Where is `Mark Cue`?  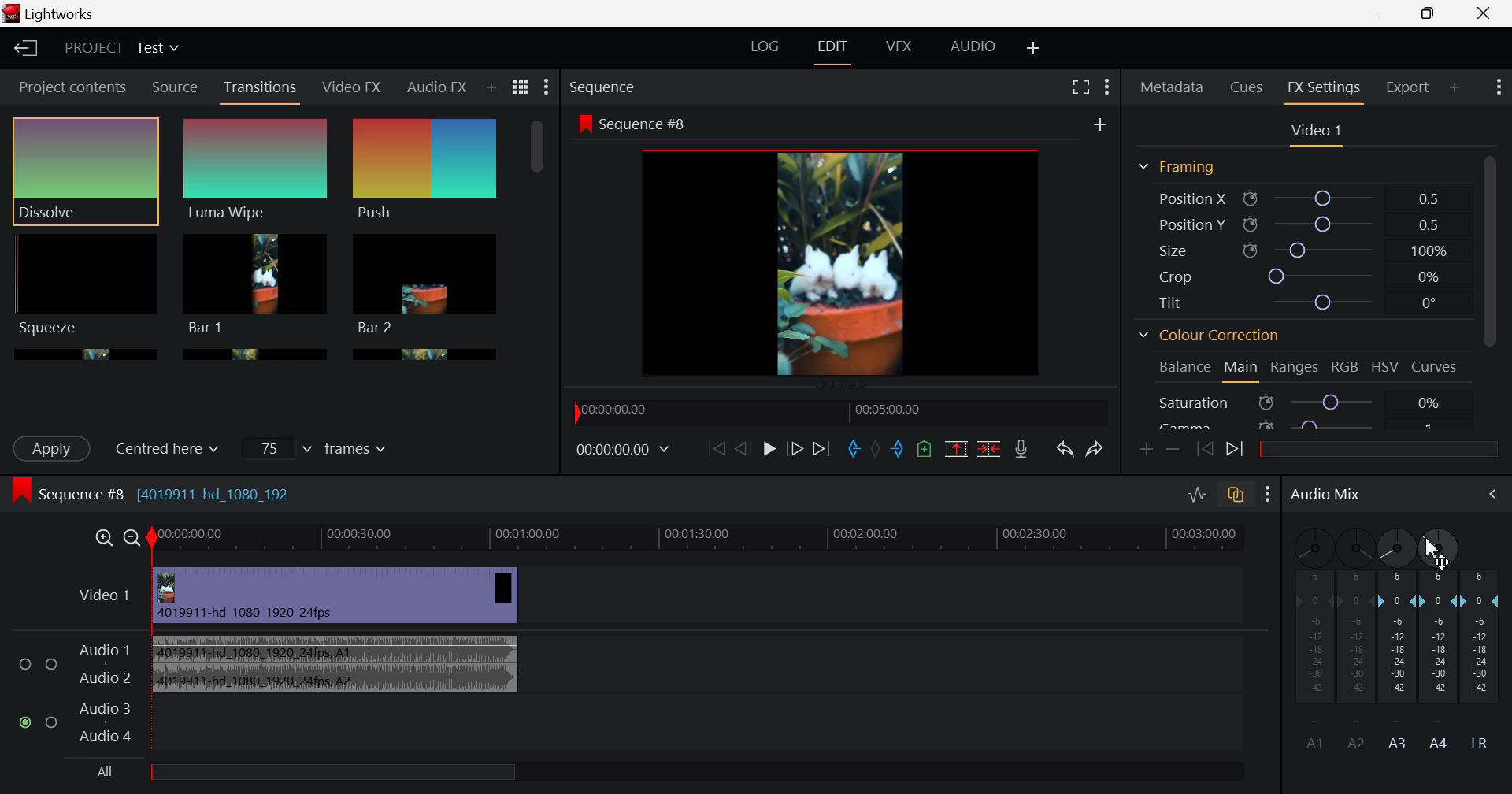
Mark Cue is located at coordinates (923, 449).